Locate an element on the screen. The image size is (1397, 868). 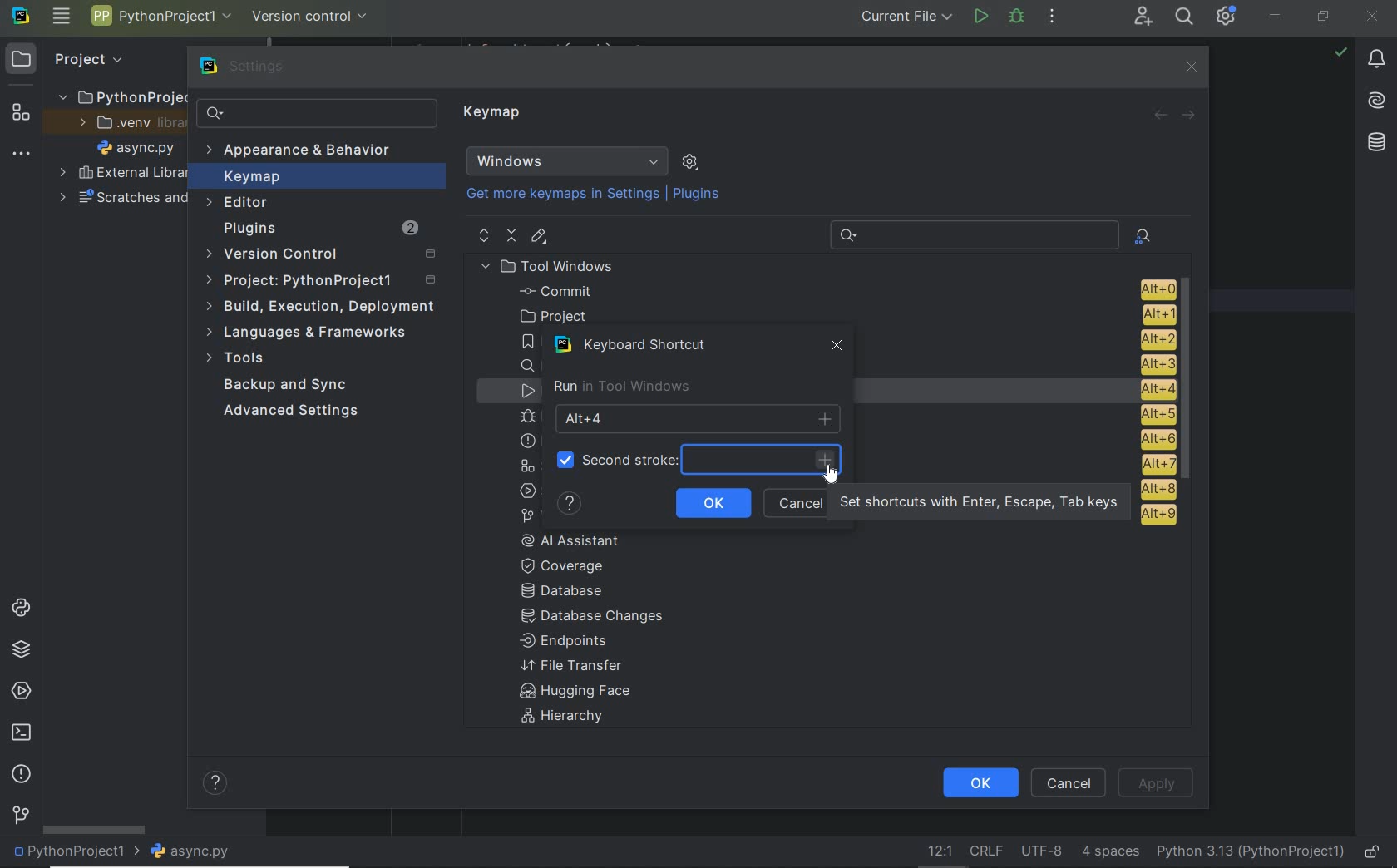
search everywhere is located at coordinates (1185, 17).